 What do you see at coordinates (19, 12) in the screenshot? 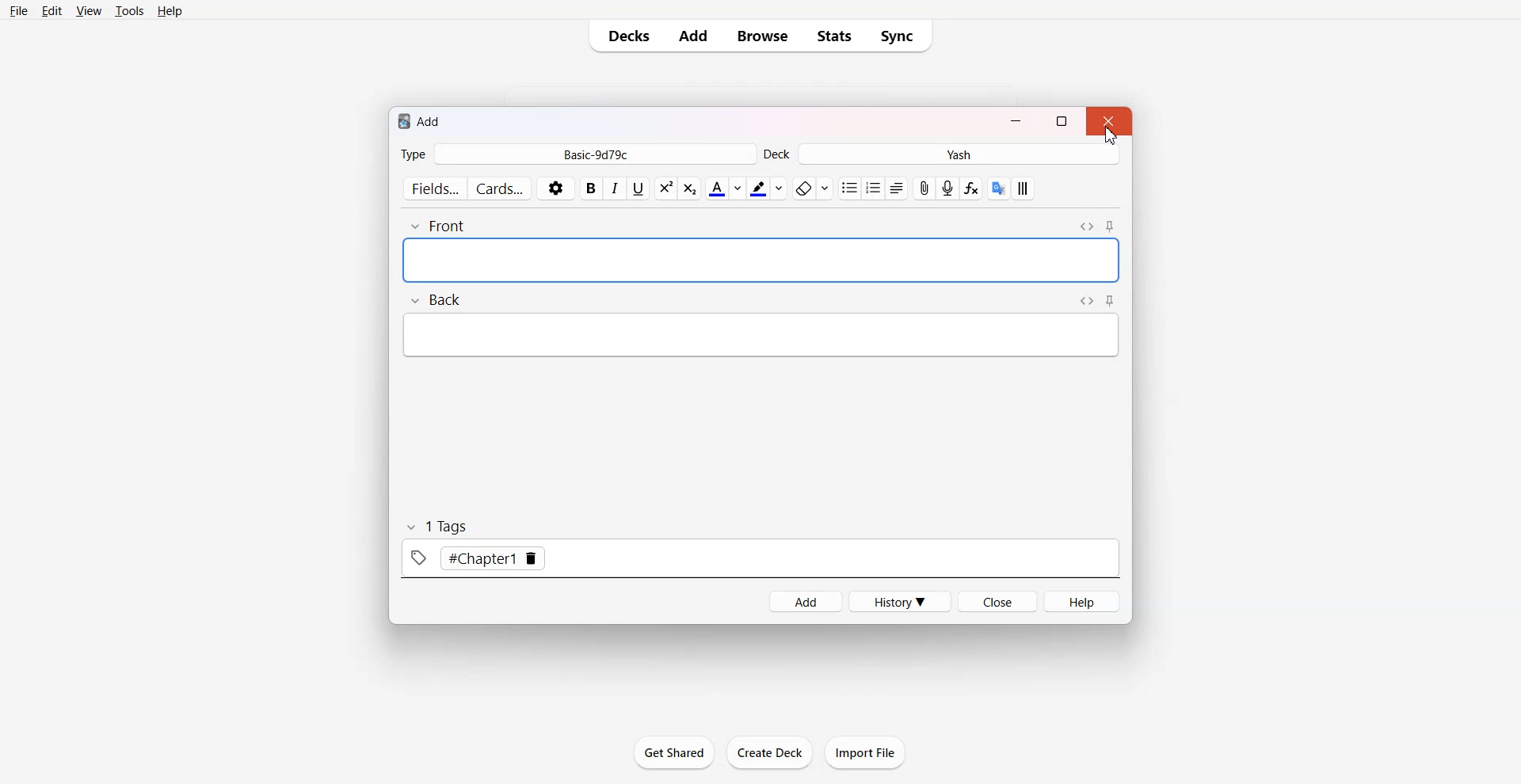
I see `File` at bounding box center [19, 12].